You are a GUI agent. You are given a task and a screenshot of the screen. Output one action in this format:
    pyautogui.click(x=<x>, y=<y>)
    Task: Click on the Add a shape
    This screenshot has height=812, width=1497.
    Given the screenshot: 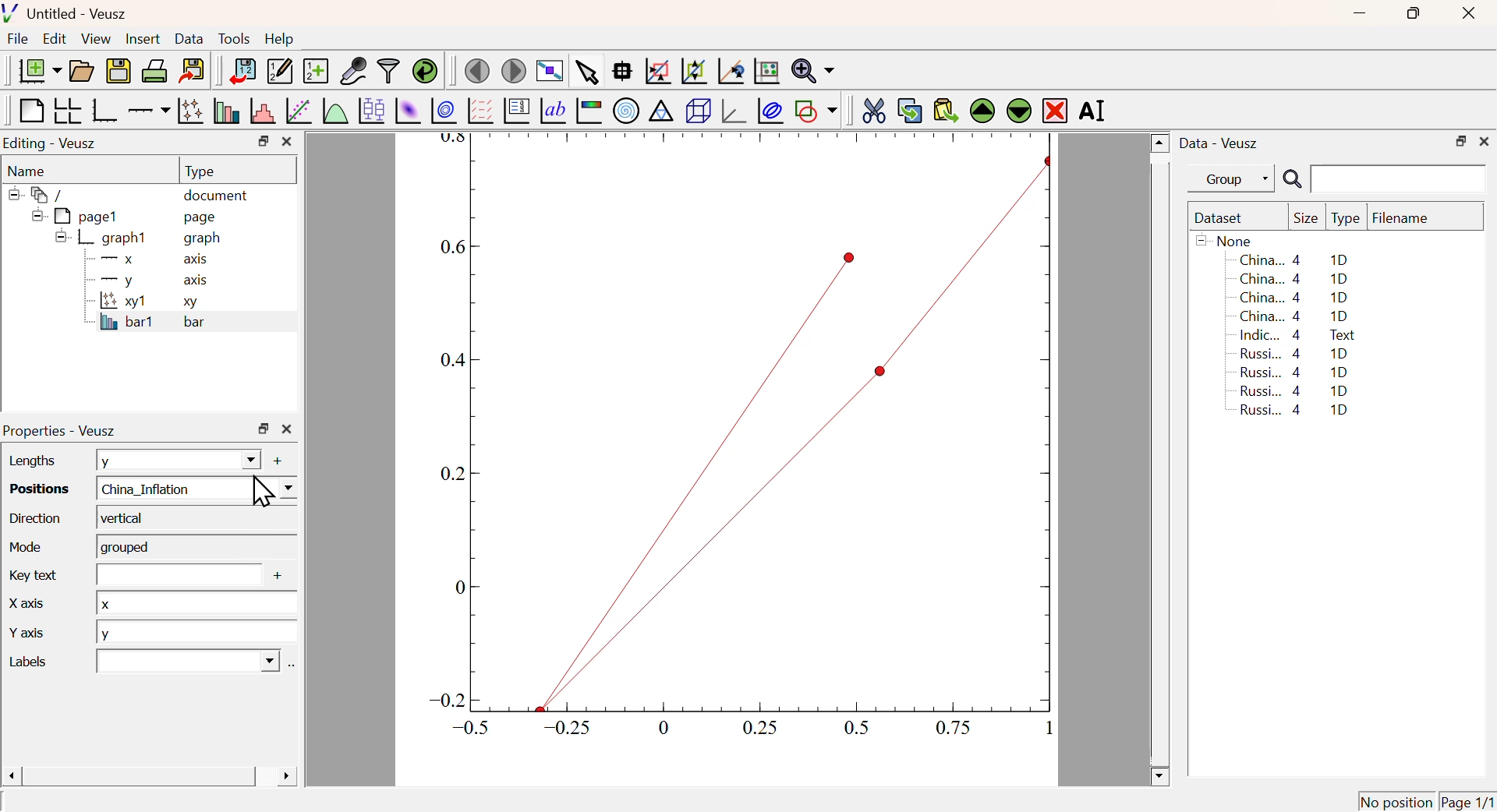 What is the action you would take?
    pyautogui.click(x=816, y=110)
    